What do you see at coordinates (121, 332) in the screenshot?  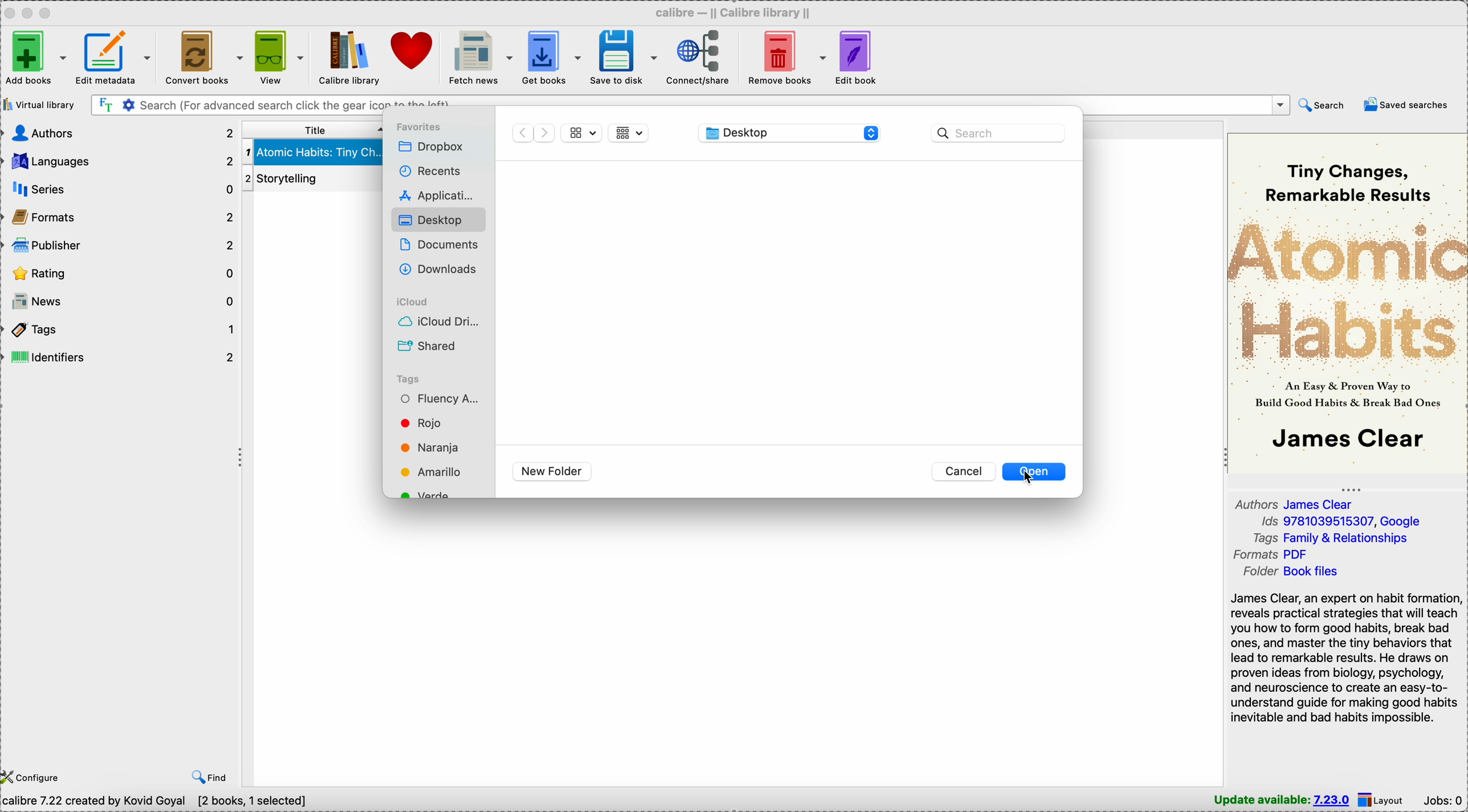 I see `tags` at bounding box center [121, 332].